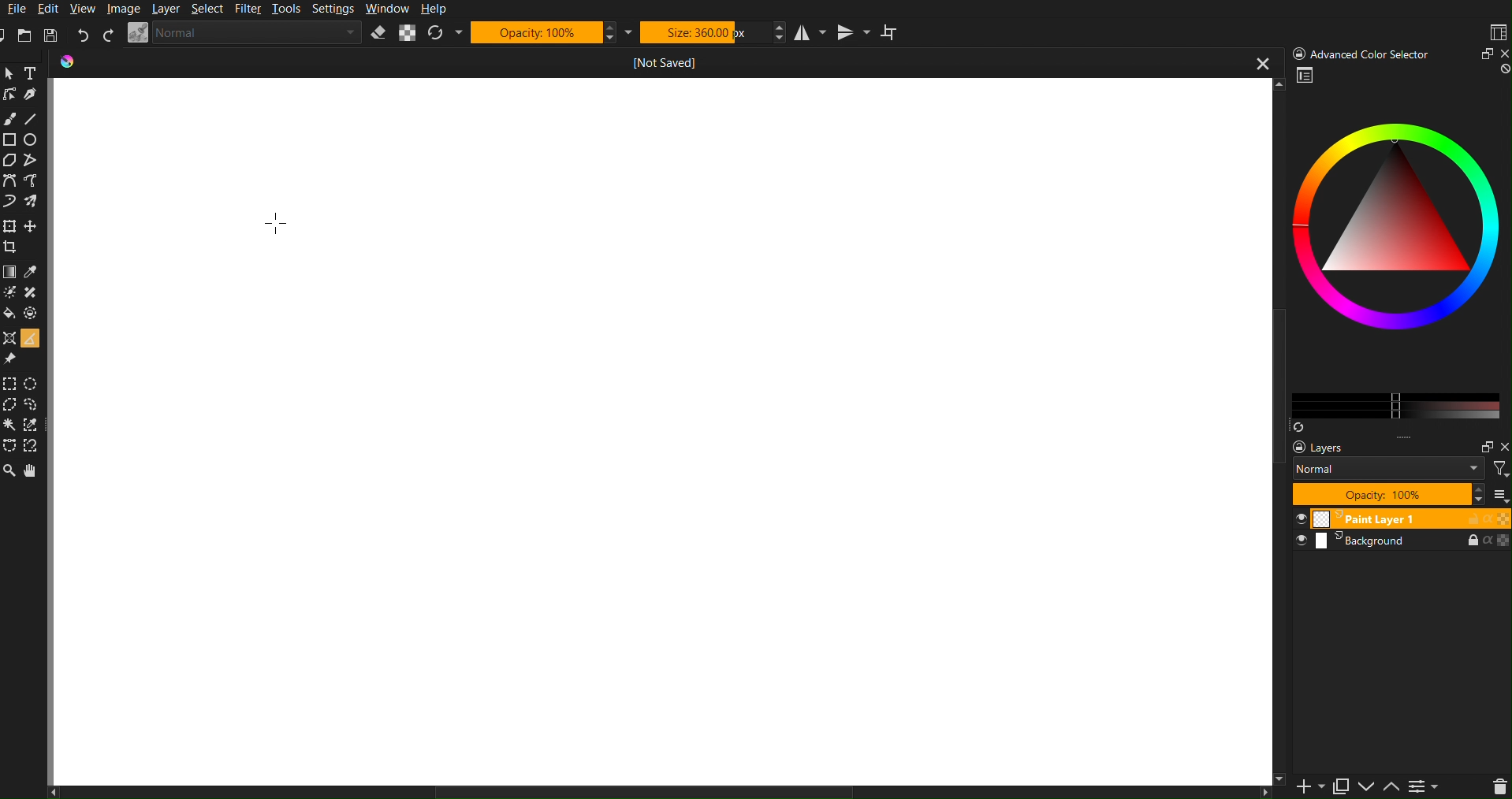 The height and width of the screenshot is (799, 1512). What do you see at coordinates (13, 247) in the screenshot?
I see `Crop` at bounding box center [13, 247].